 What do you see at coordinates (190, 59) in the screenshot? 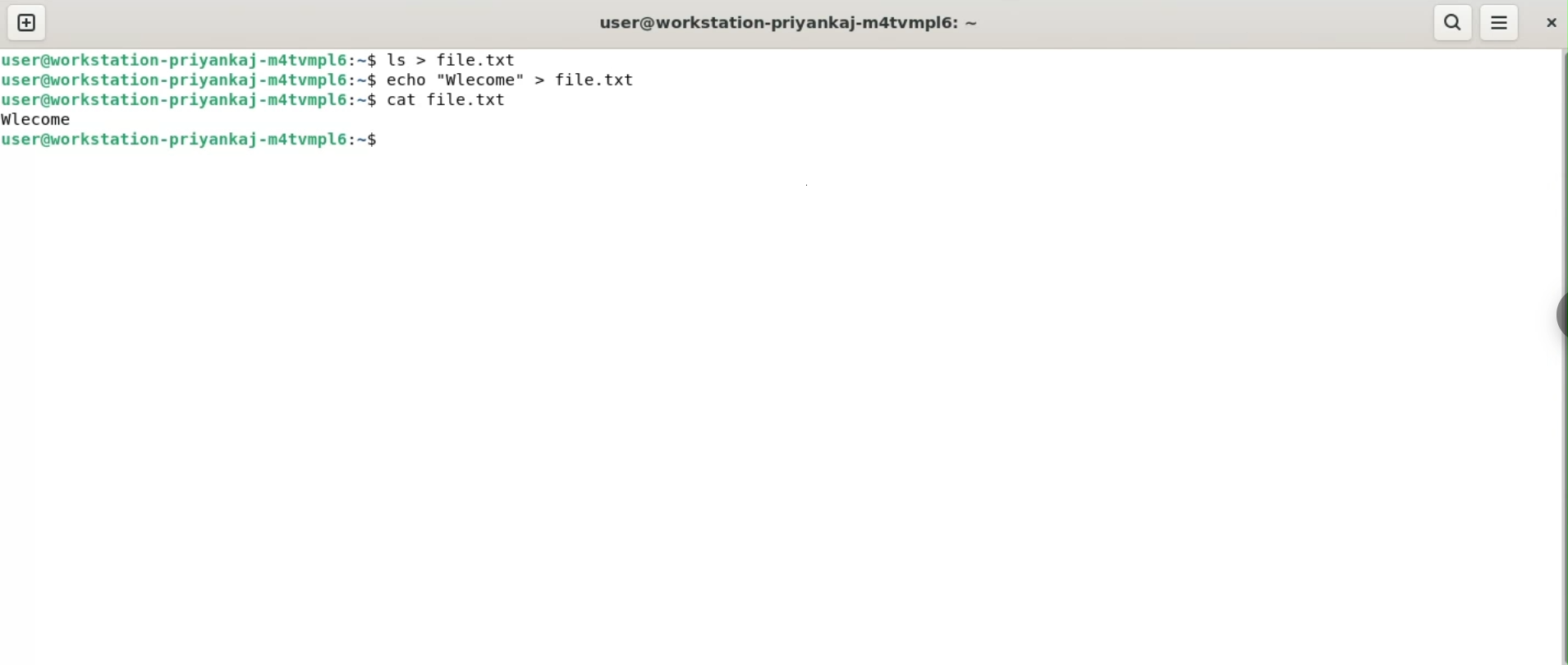
I see `user@workstation-priyankaj-m4tvmpl6: ~$` at bounding box center [190, 59].